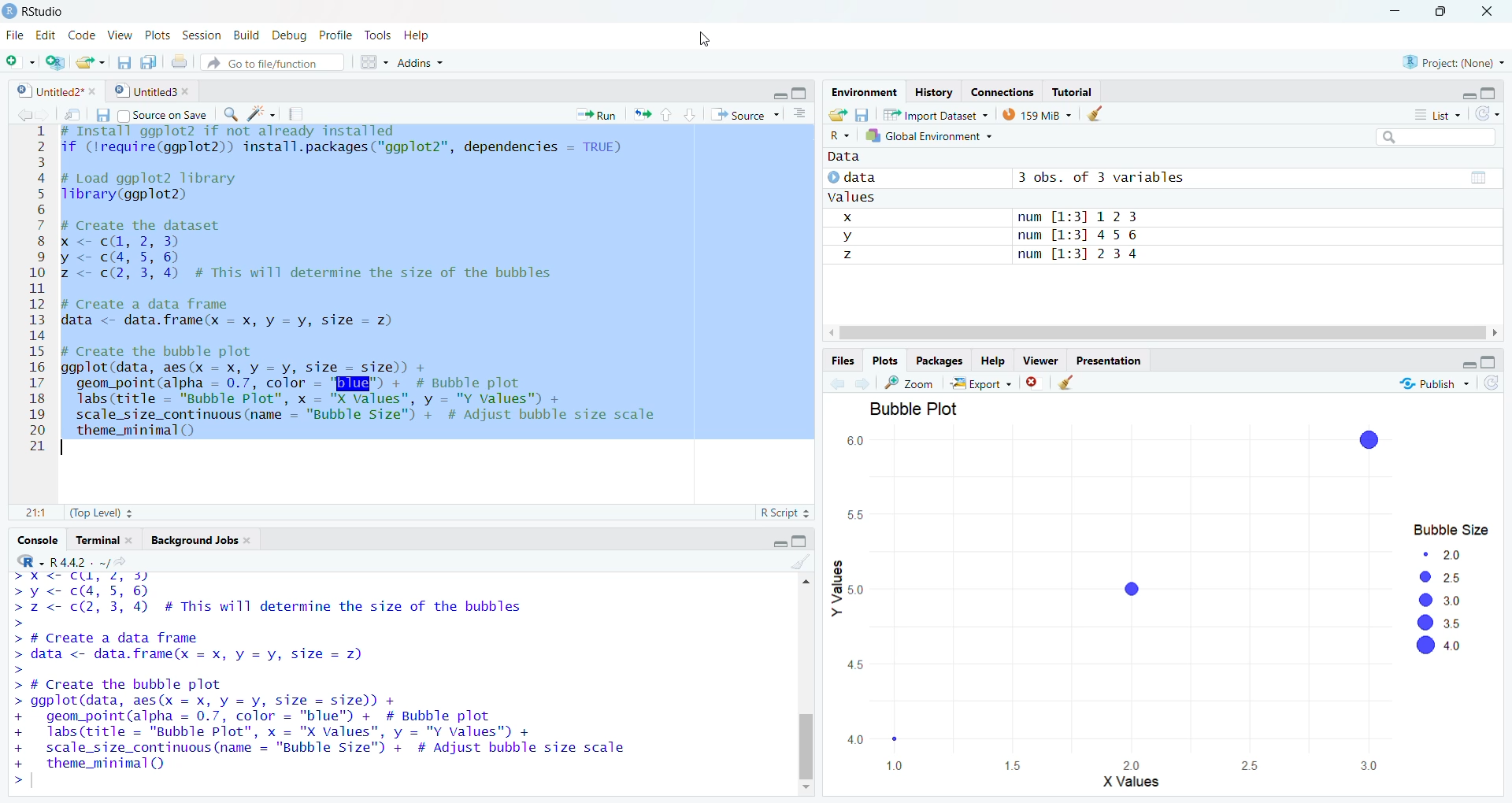 The image size is (1512, 803). Describe the element at coordinates (1433, 386) in the screenshot. I see `Publish ` at that location.